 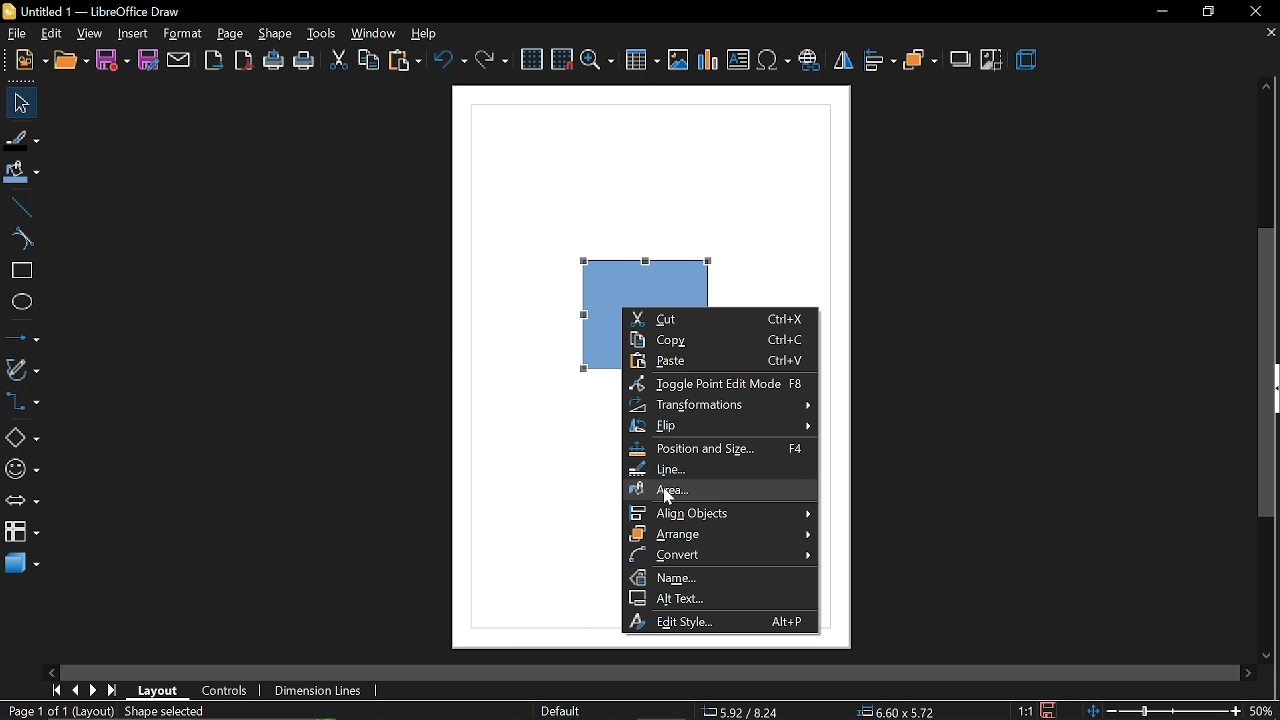 I want to click on name, so click(x=720, y=577).